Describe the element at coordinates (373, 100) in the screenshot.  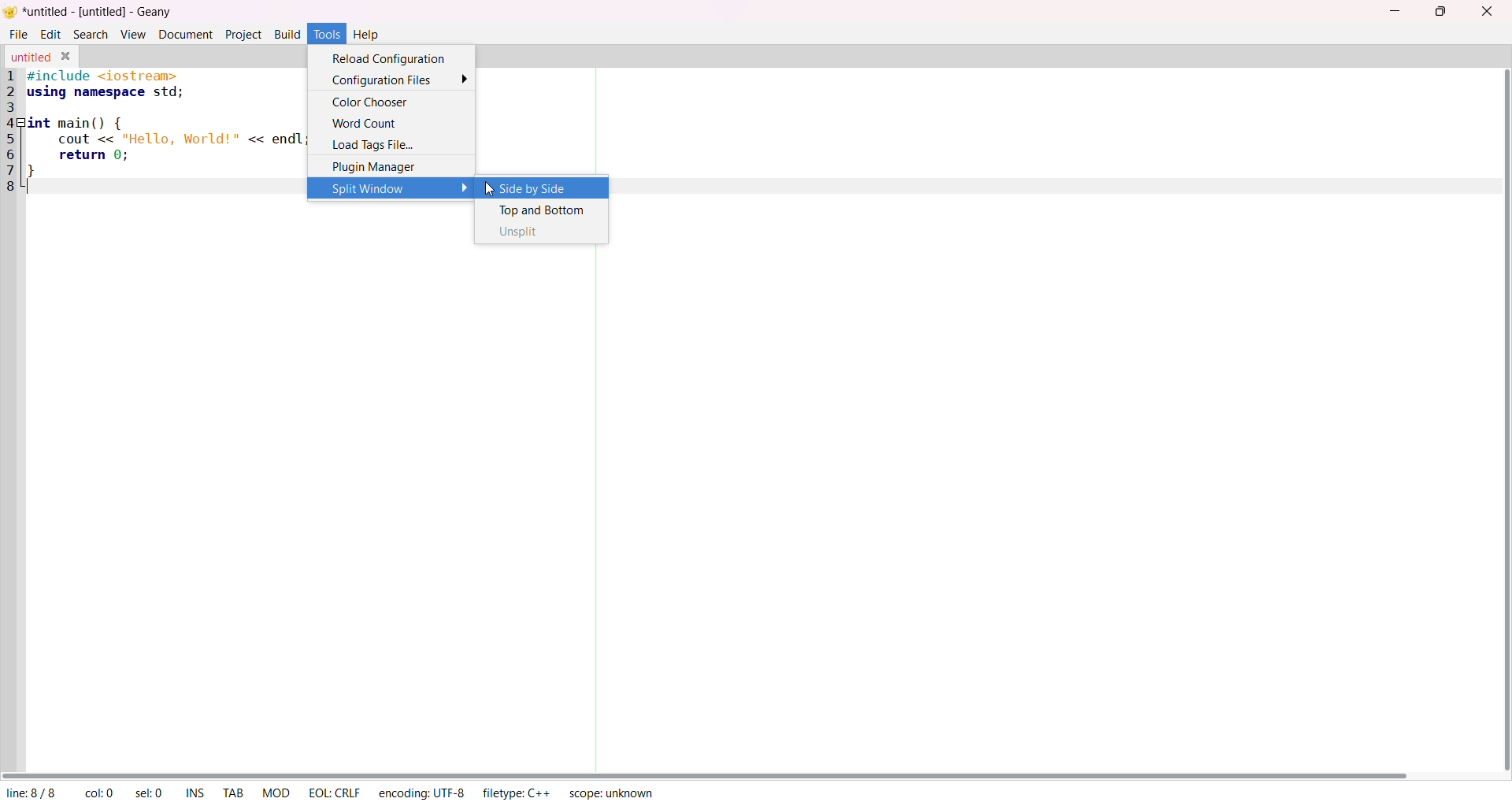
I see `Color Chooser` at that location.